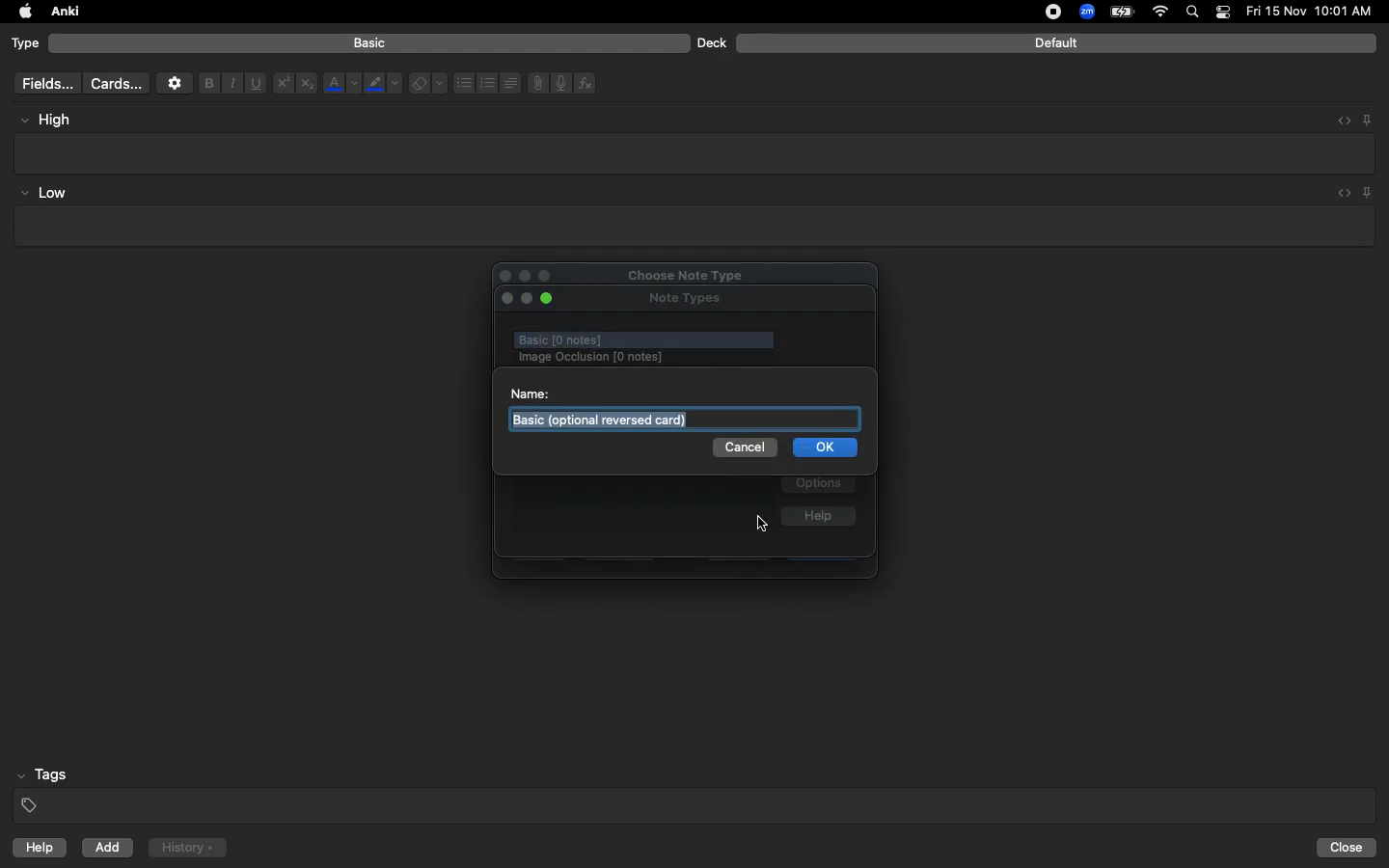 Image resolution: width=1389 pixels, height=868 pixels. What do you see at coordinates (1349, 848) in the screenshot?
I see `Close` at bounding box center [1349, 848].